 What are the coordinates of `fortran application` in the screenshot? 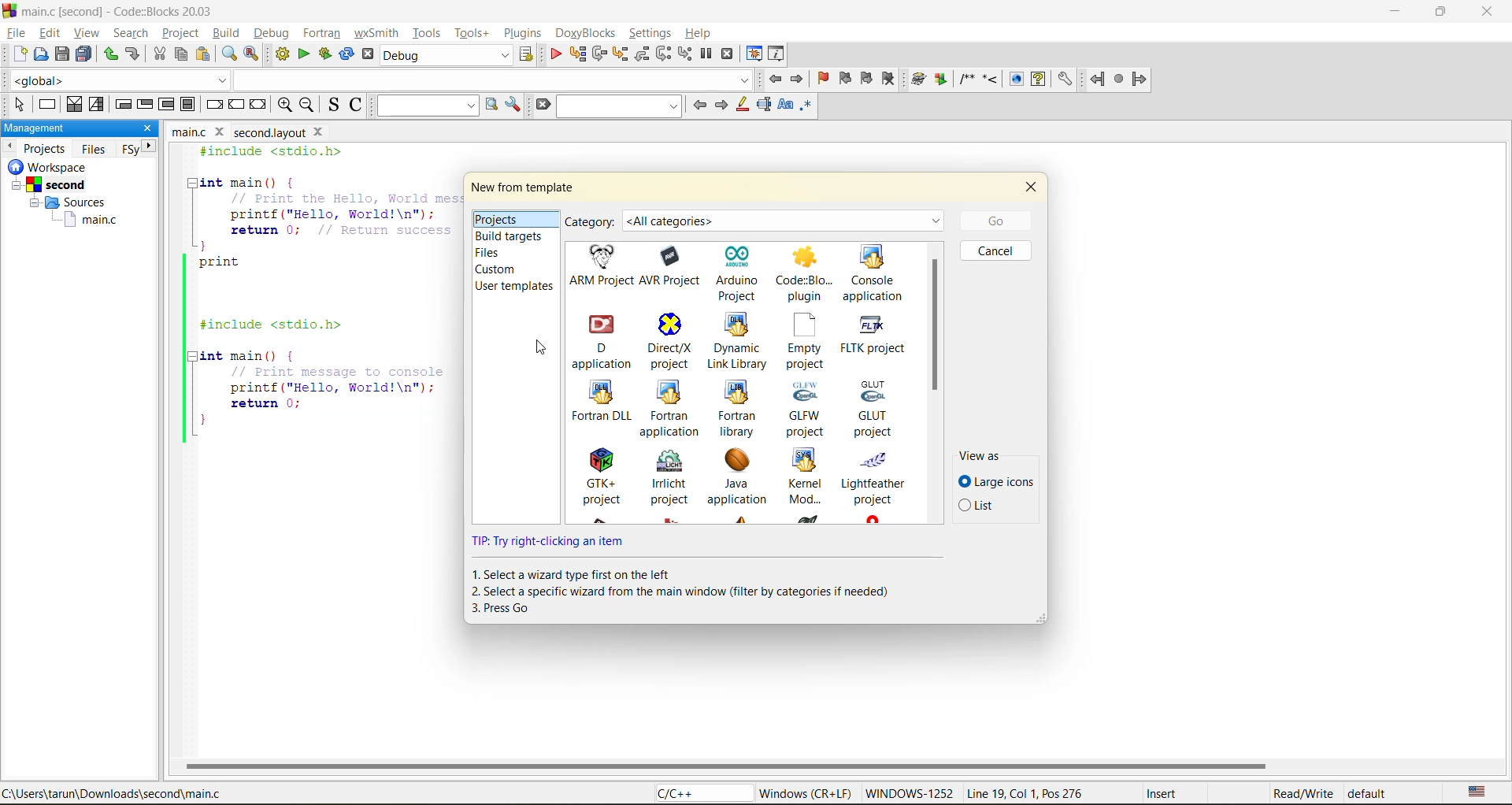 It's located at (673, 408).